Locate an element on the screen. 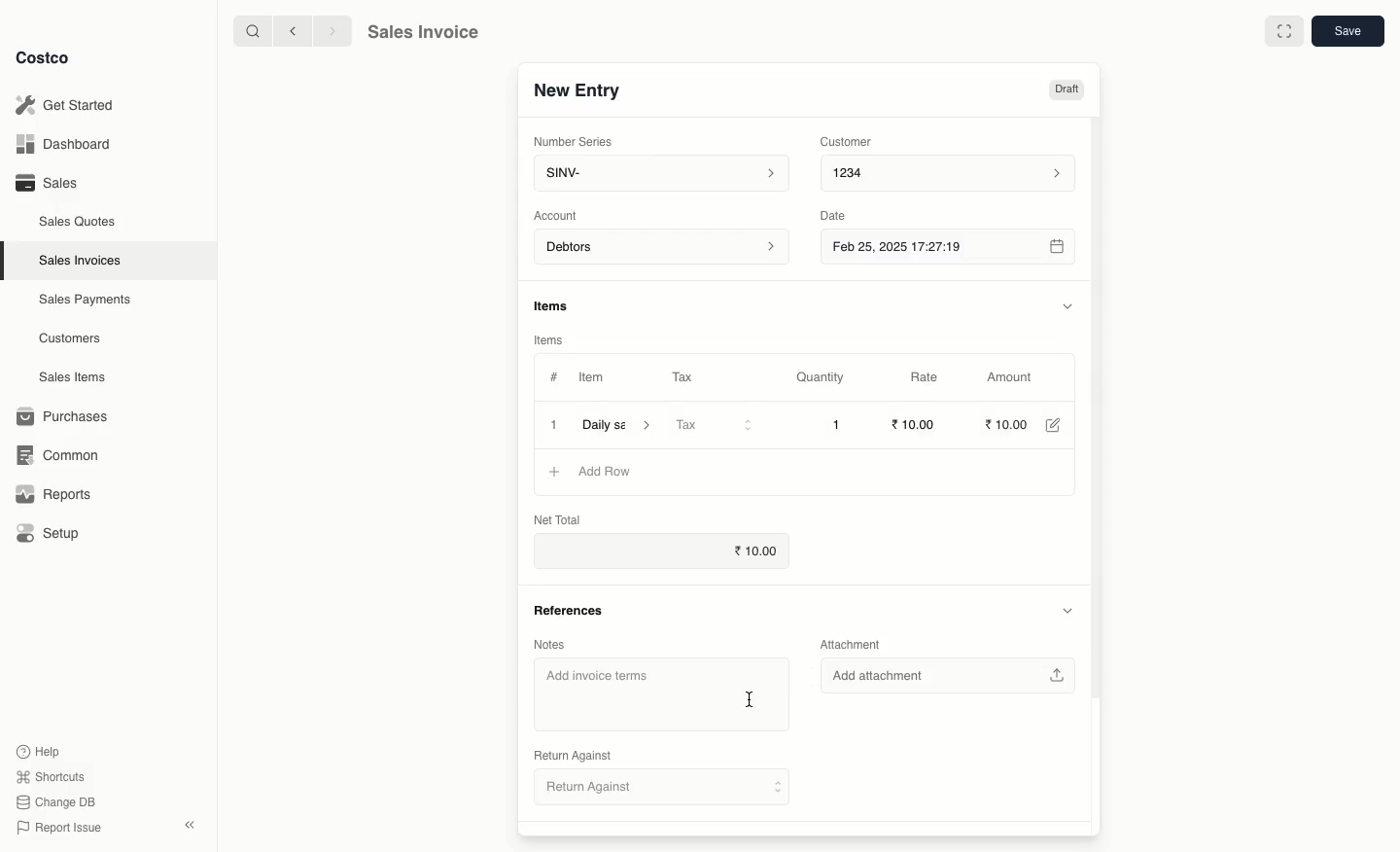 Image resolution: width=1400 pixels, height=852 pixels. Collapse is located at coordinates (189, 825).